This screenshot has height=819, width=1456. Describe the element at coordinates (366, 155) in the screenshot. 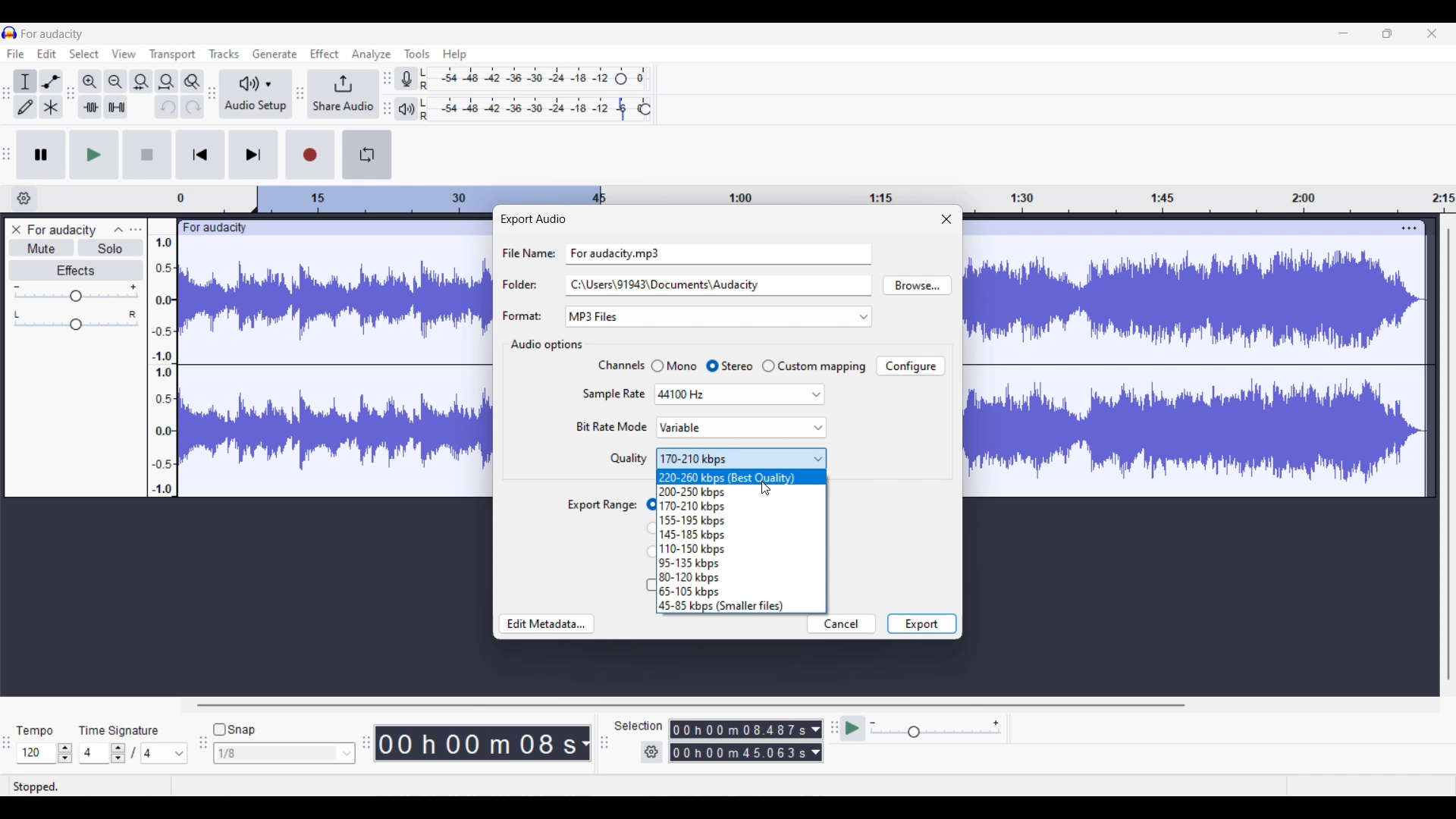

I see `Enable looping` at that location.